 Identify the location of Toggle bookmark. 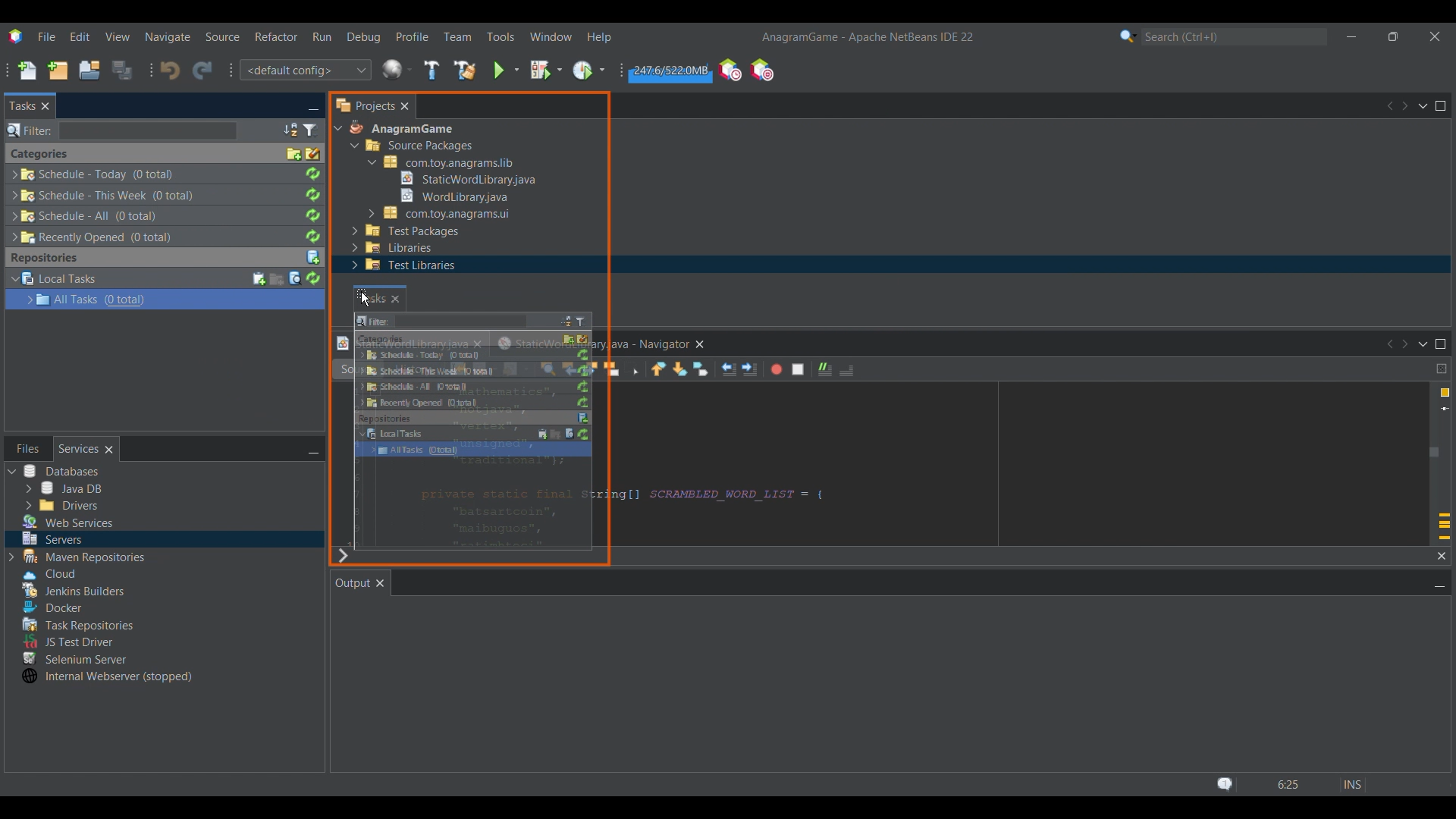
(701, 369).